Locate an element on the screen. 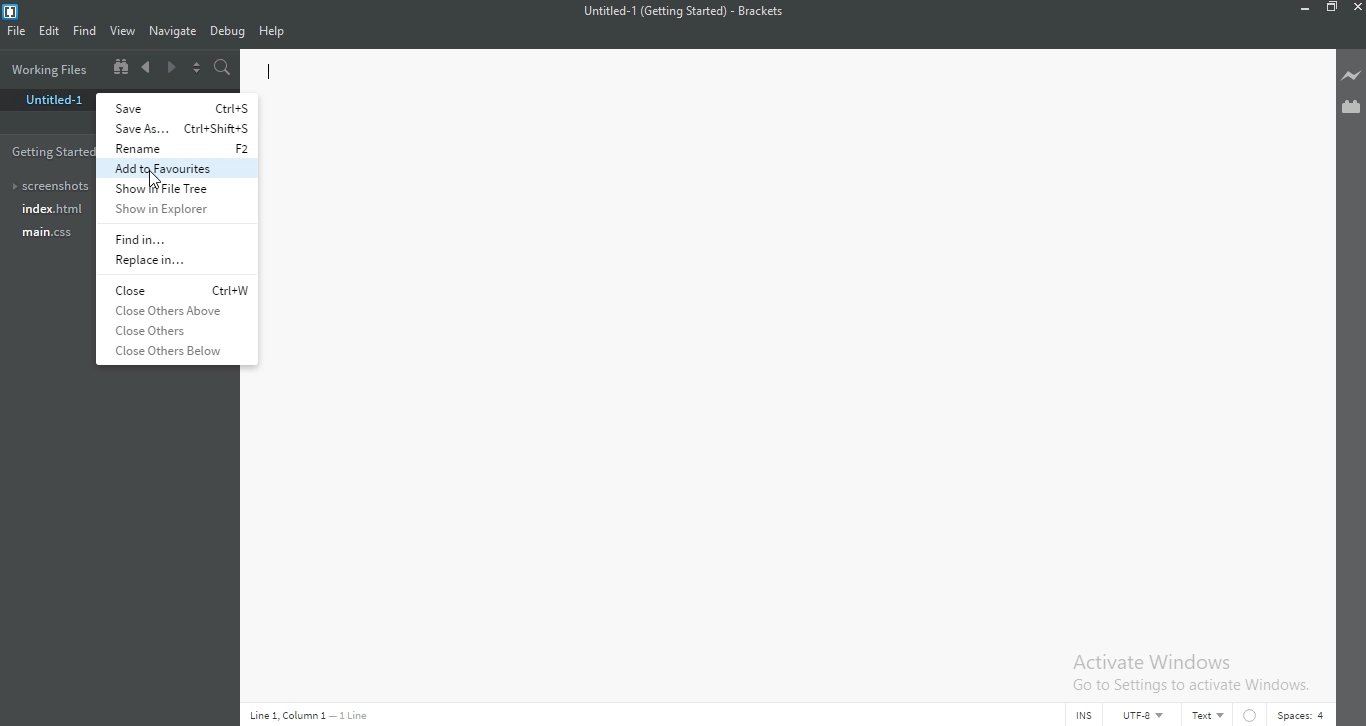 Image resolution: width=1366 pixels, height=726 pixels. add to favorites is located at coordinates (178, 171).